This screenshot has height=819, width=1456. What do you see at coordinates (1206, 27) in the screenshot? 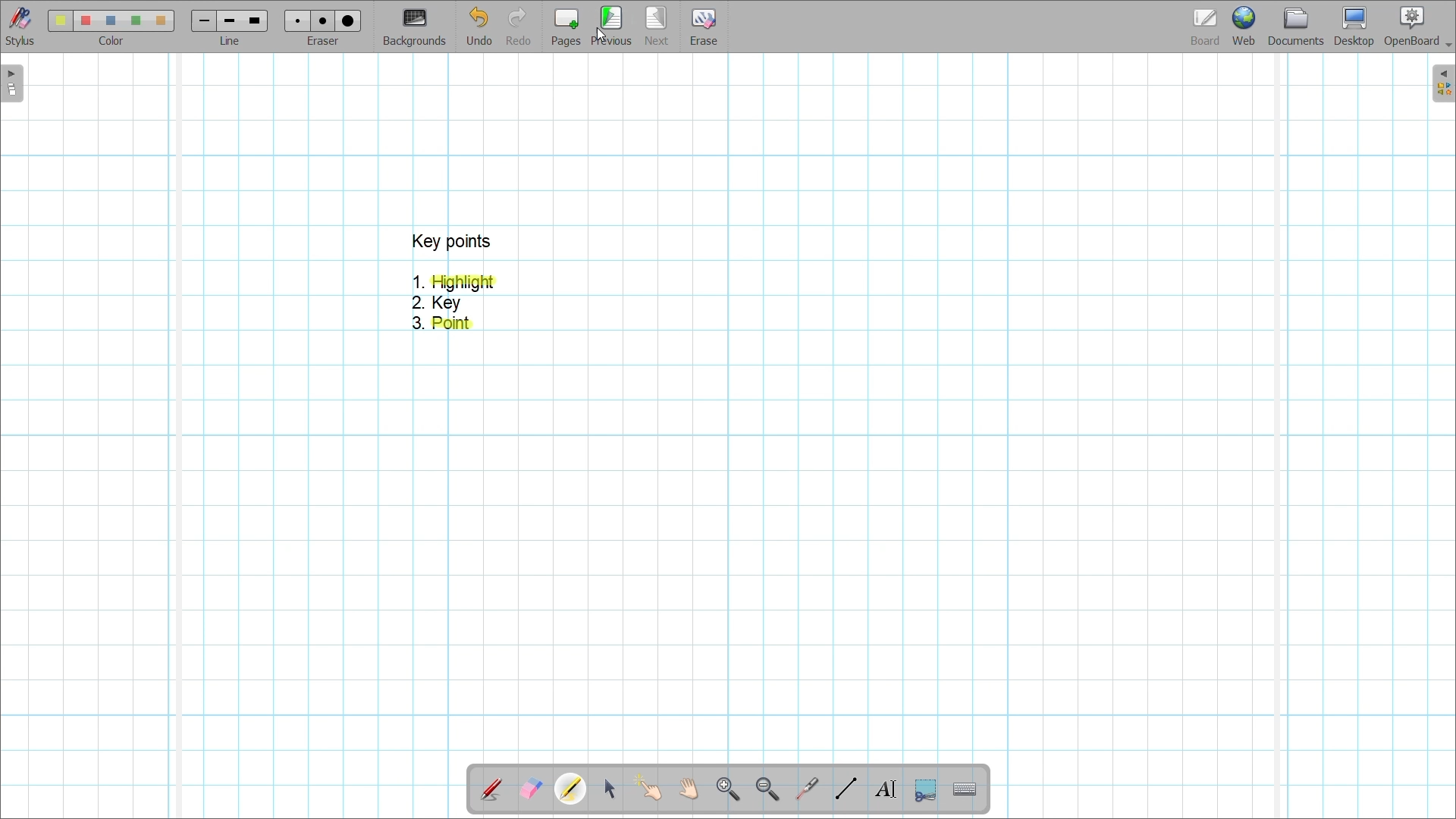
I see `Board` at bounding box center [1206, 27].